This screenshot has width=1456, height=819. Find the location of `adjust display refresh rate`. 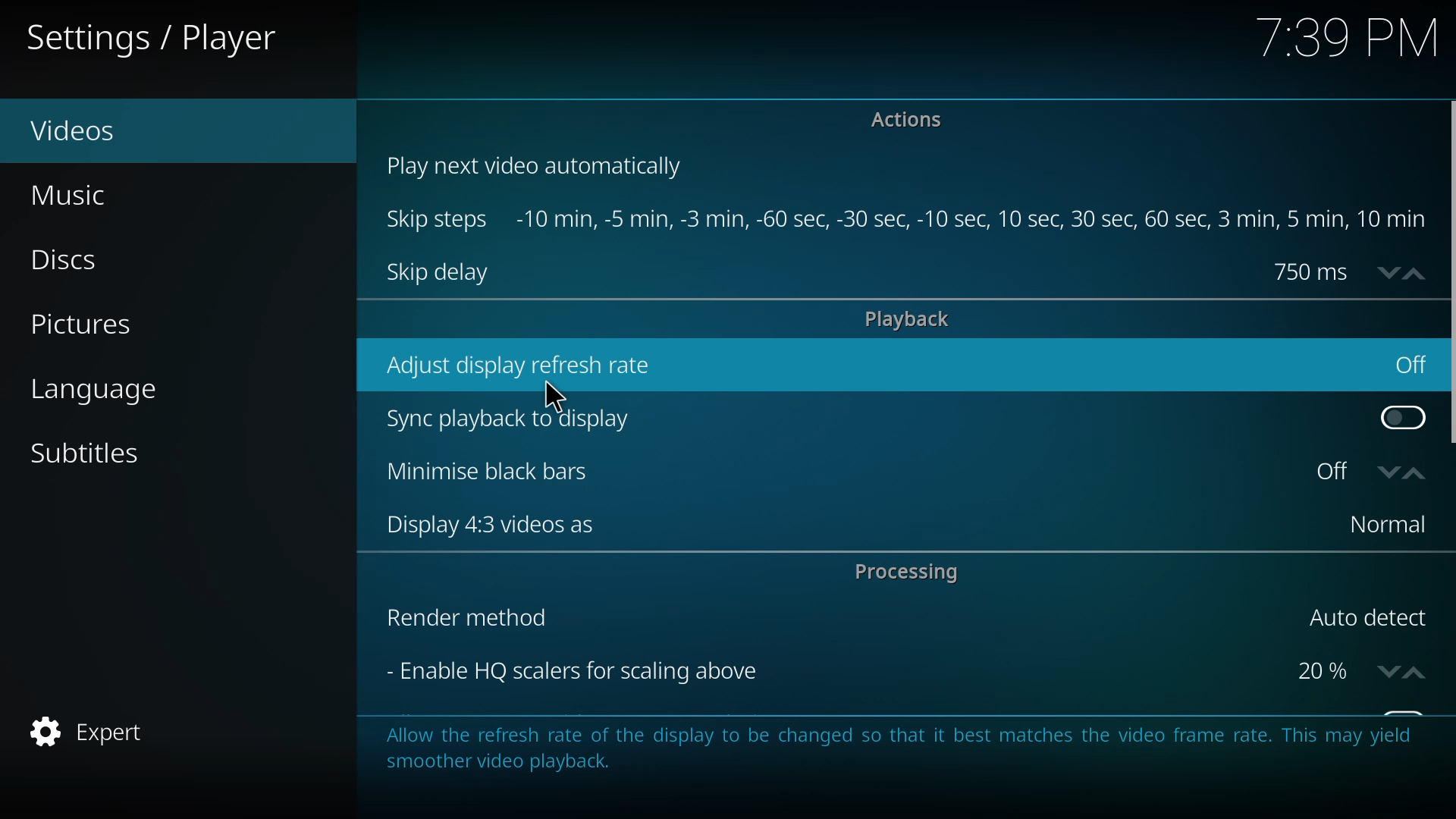

adjust display refresh rate is located at coordinates (521, 365).